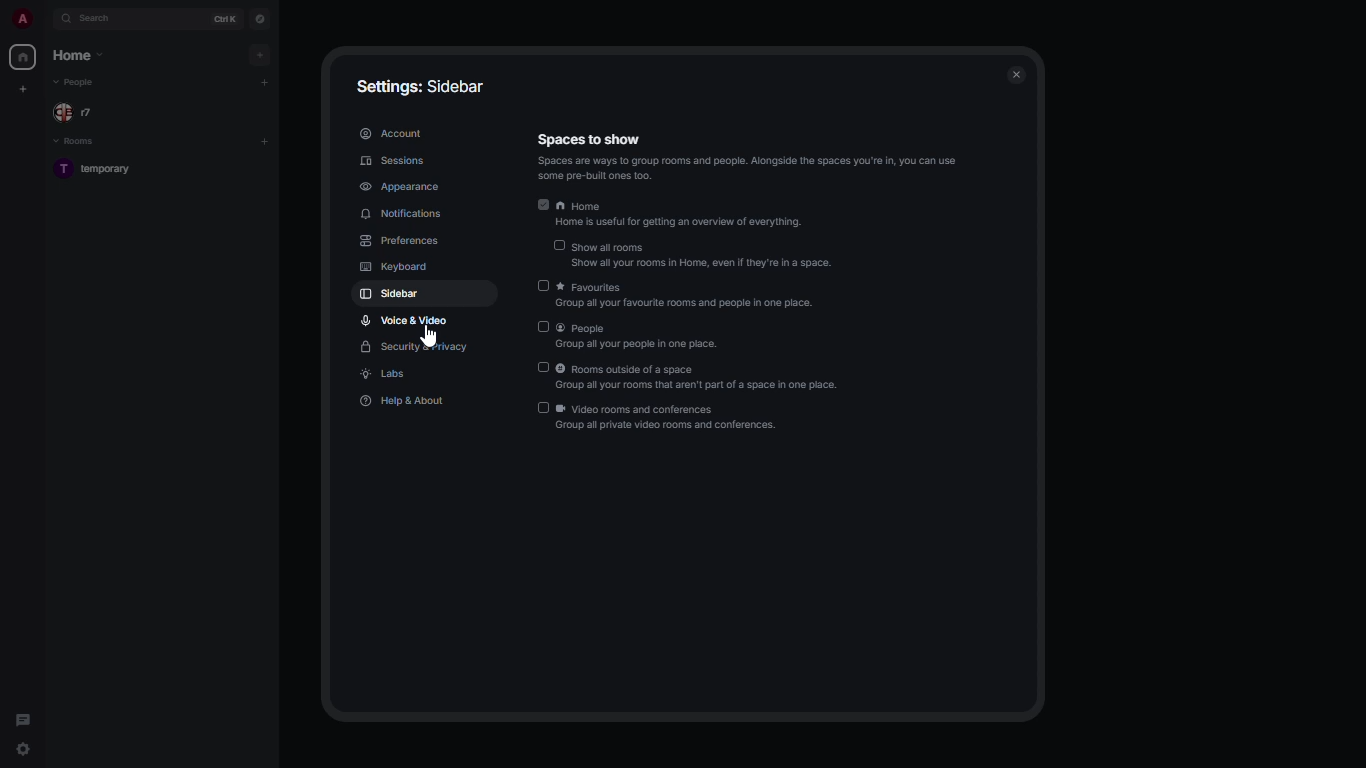 The height and width of the screenshot is (768, 1366). Describe the element at coordinates (394, 161) in the screenshot. I see `sessions` at that location.